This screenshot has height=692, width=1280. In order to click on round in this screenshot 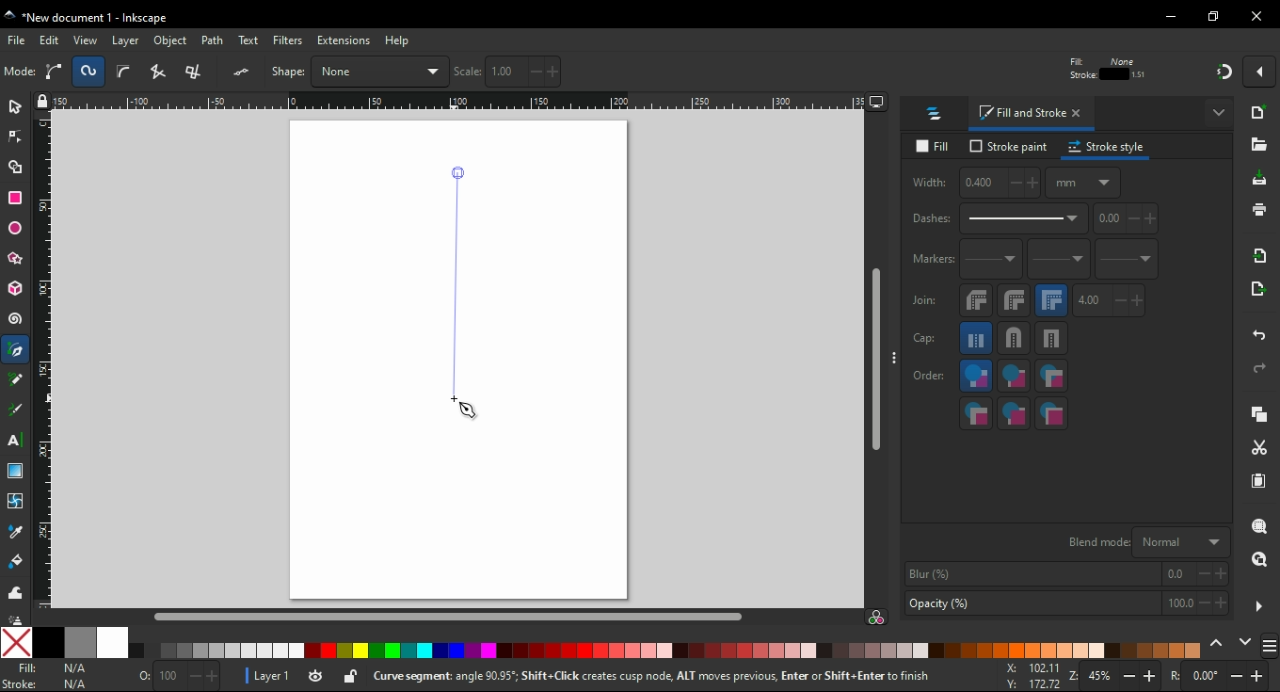, I will do `click(1014, 300)`.